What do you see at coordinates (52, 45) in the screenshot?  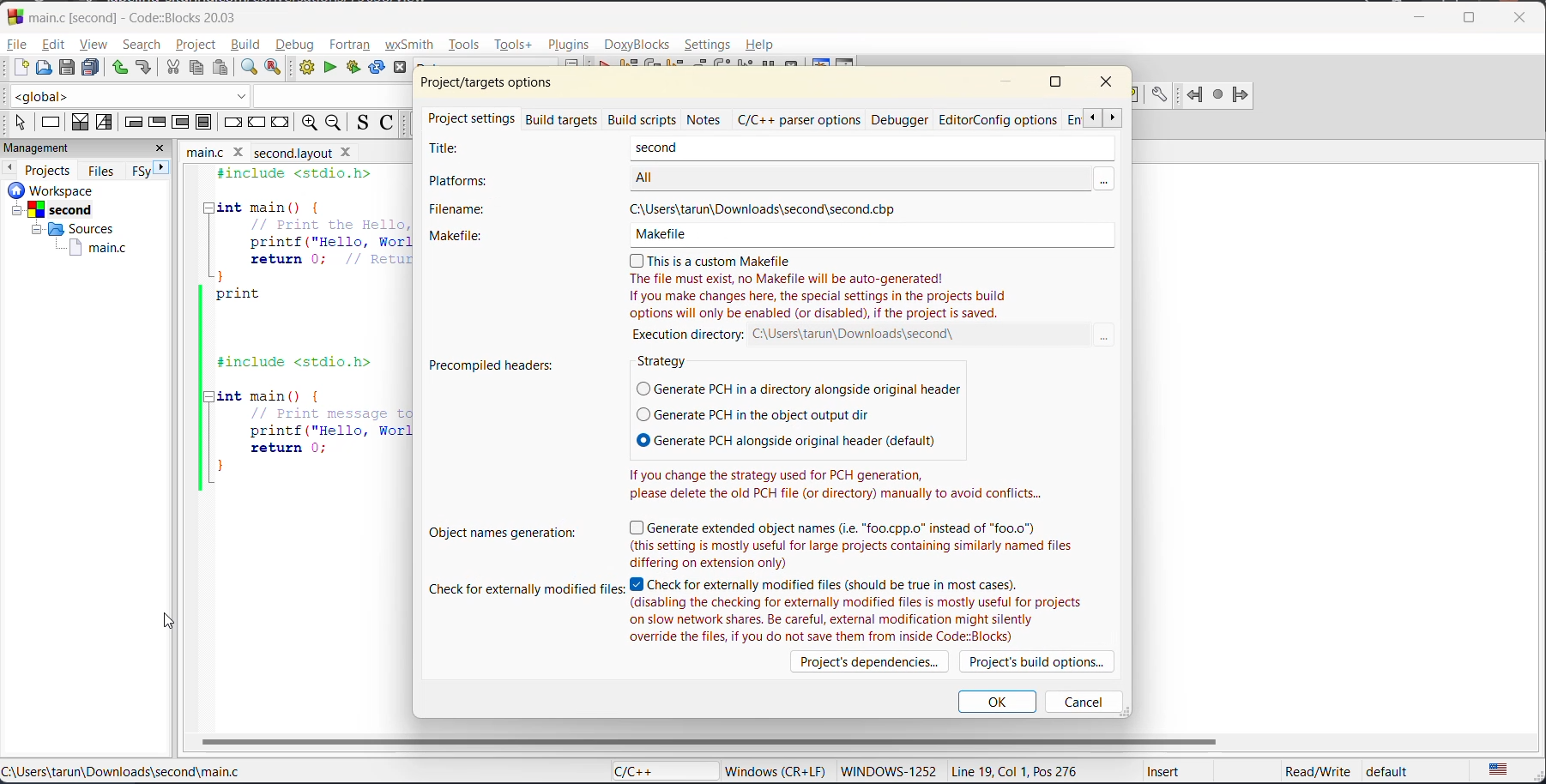 I see `edit` at bounding box center [52, 45].